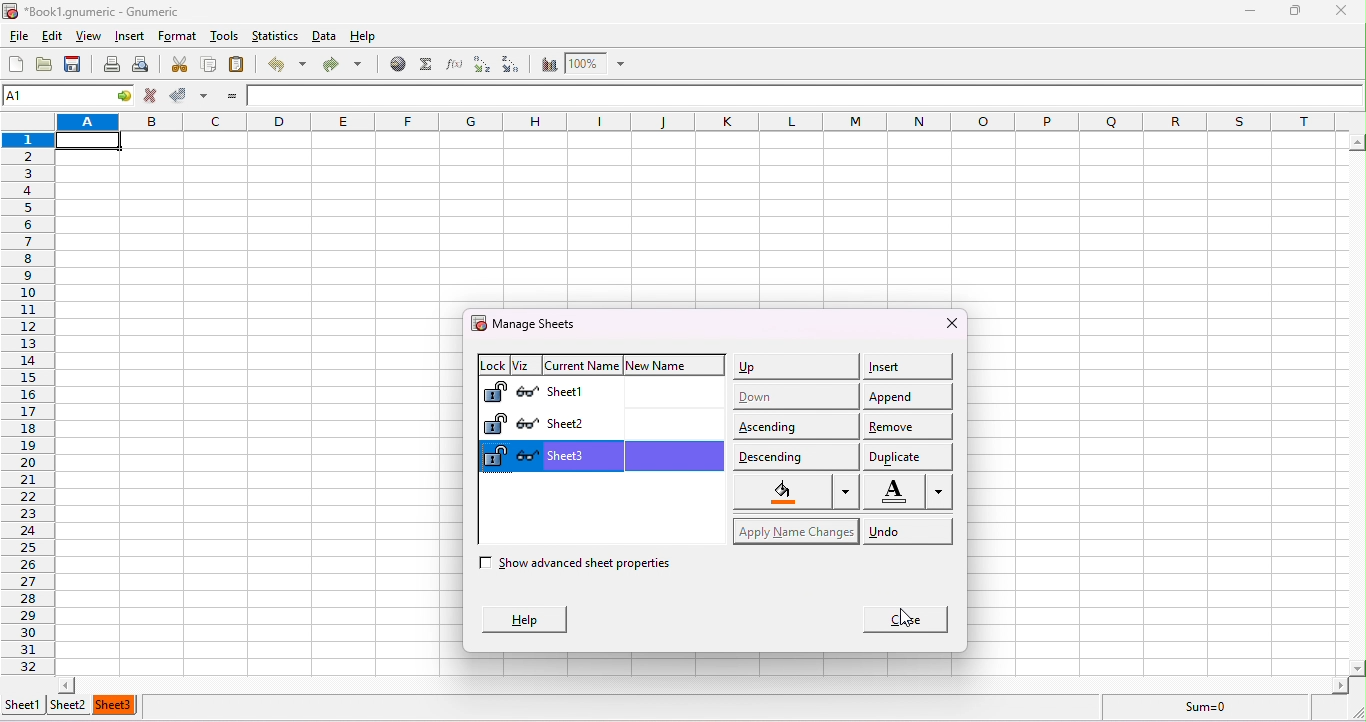 This screenshot has width=1366, height=722. What do you see at coordinates (526, 456) in the screenshot?
I see `Hide sheet 3` at bounding box center [526, 456].